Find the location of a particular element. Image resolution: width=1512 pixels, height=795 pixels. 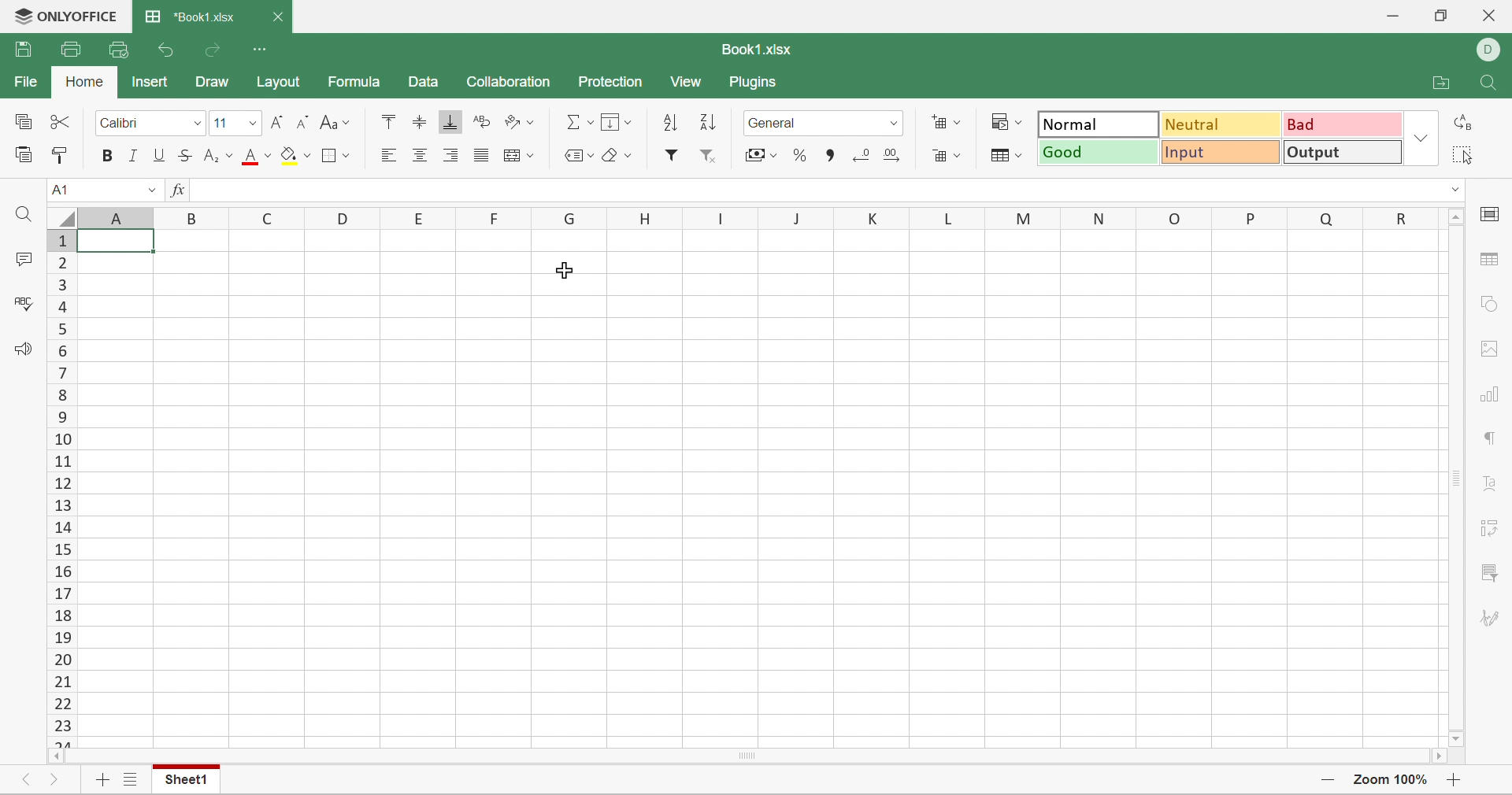

17 is located at coordinates (58, 593).